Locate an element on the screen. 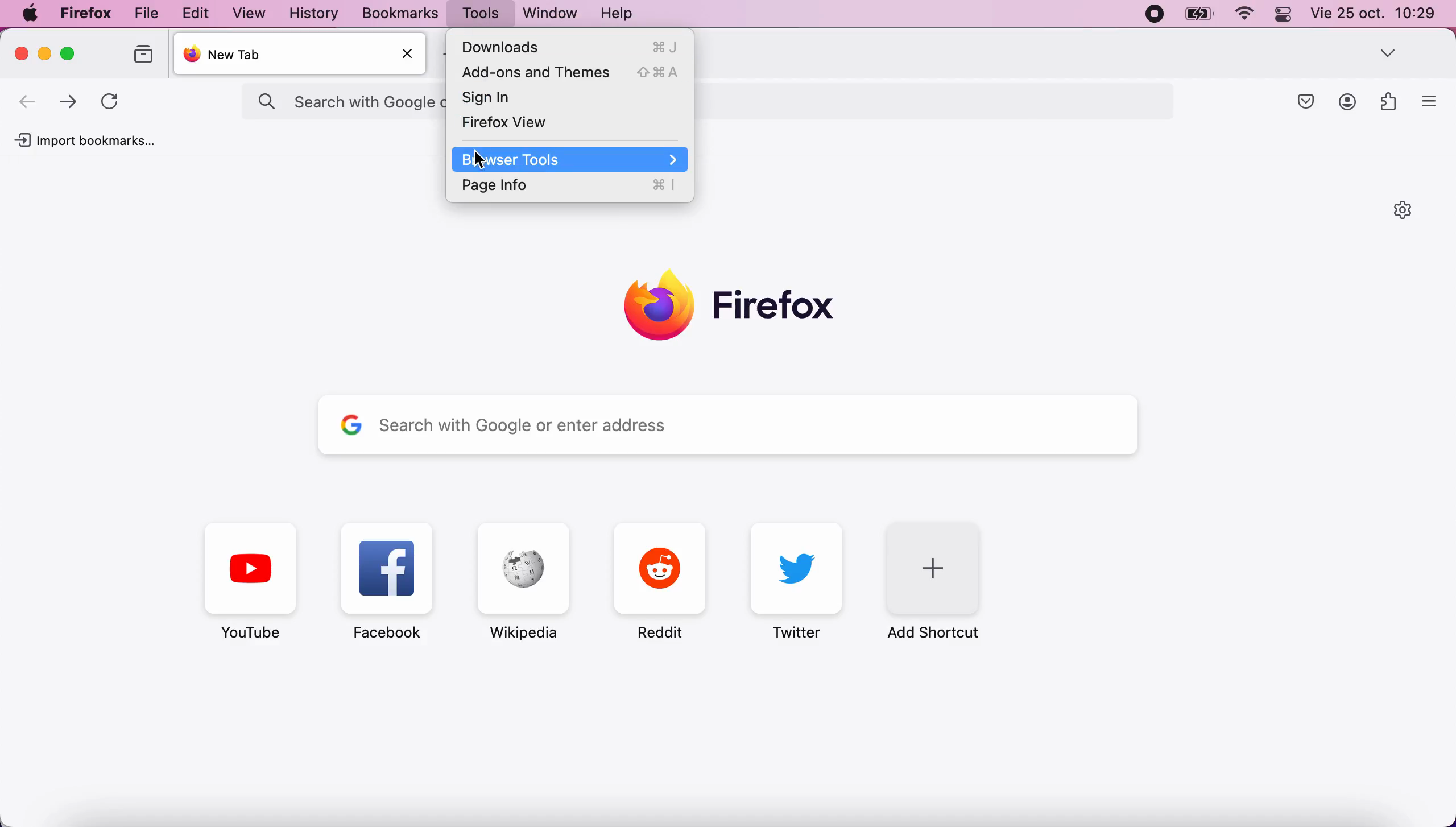  Minimize is located at coordinates (46, 53).